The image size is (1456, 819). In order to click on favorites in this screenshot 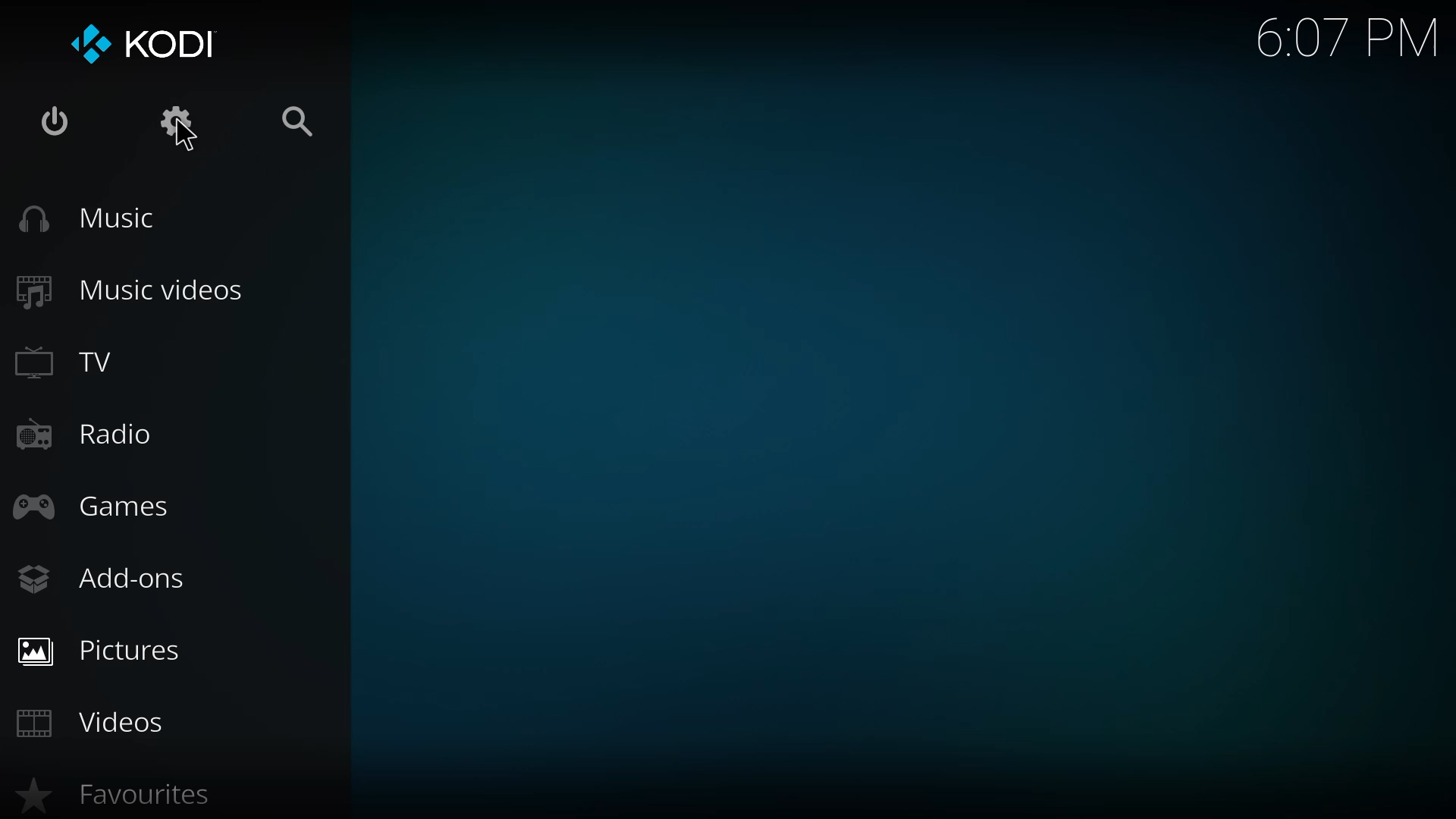, I will do `click(133, 795)`.